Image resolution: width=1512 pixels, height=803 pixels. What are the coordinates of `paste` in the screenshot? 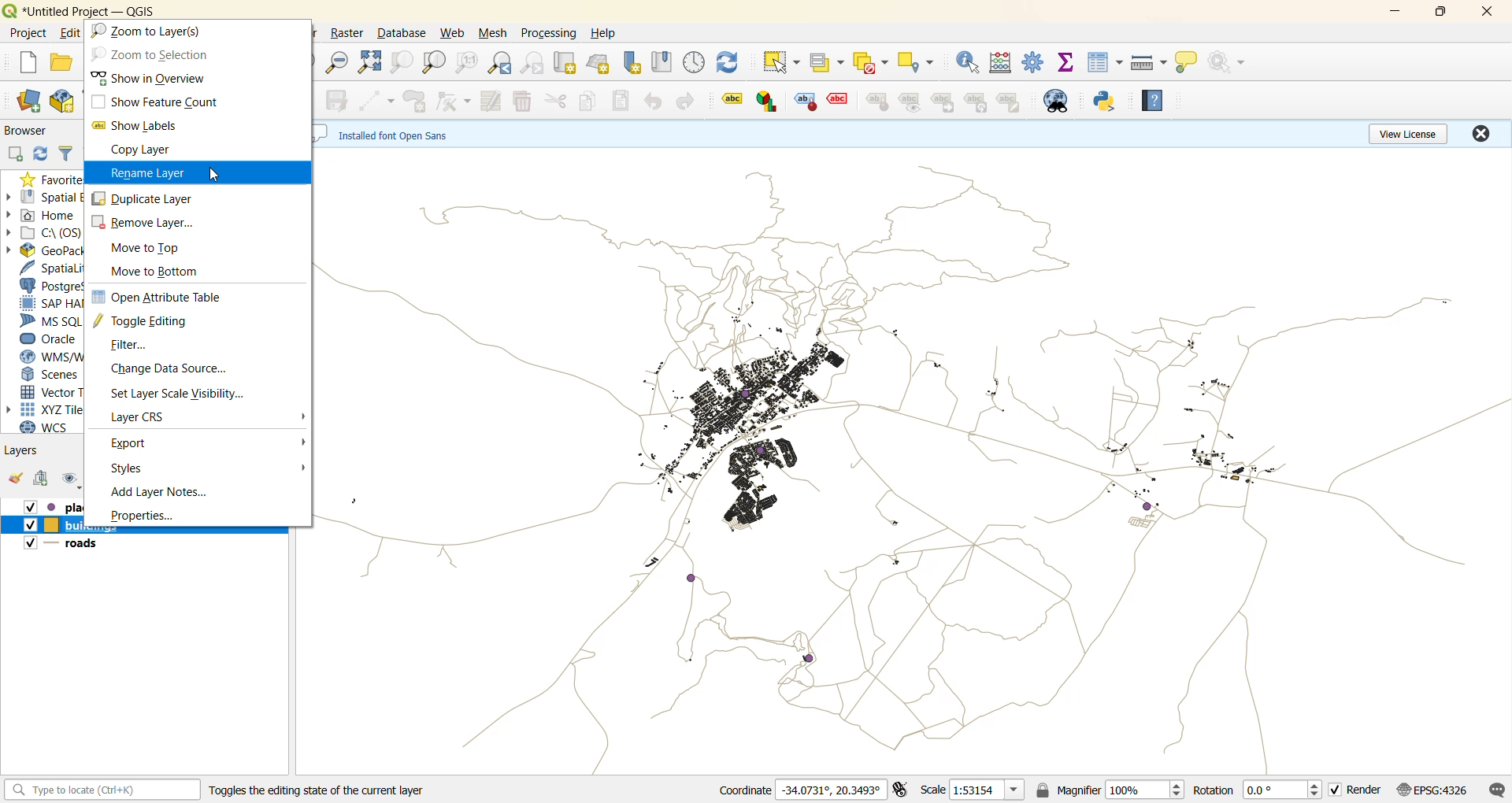 It's located at (623, 102).